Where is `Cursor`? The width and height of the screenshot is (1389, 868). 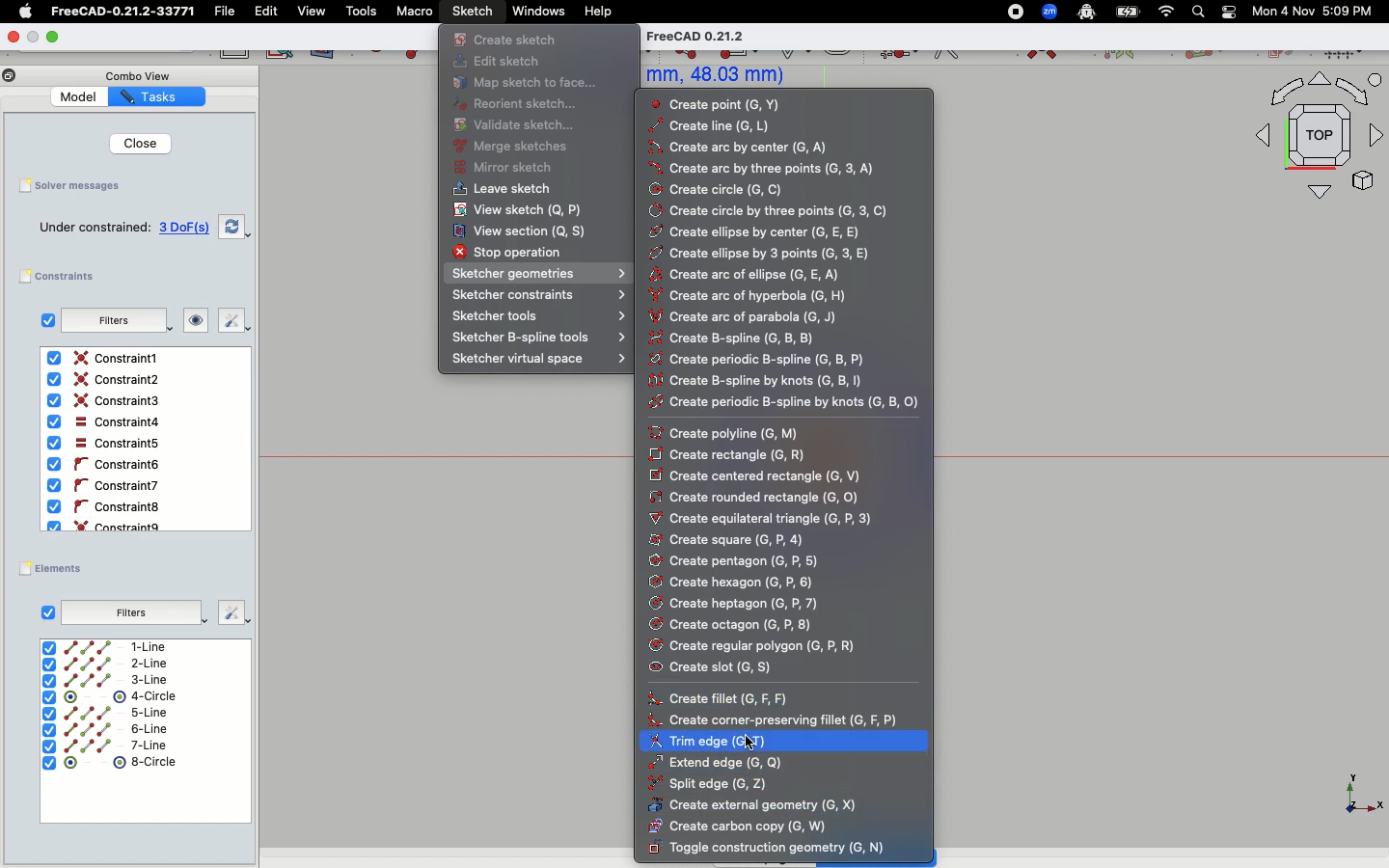
Cursor is located at coordinates (755, 743).